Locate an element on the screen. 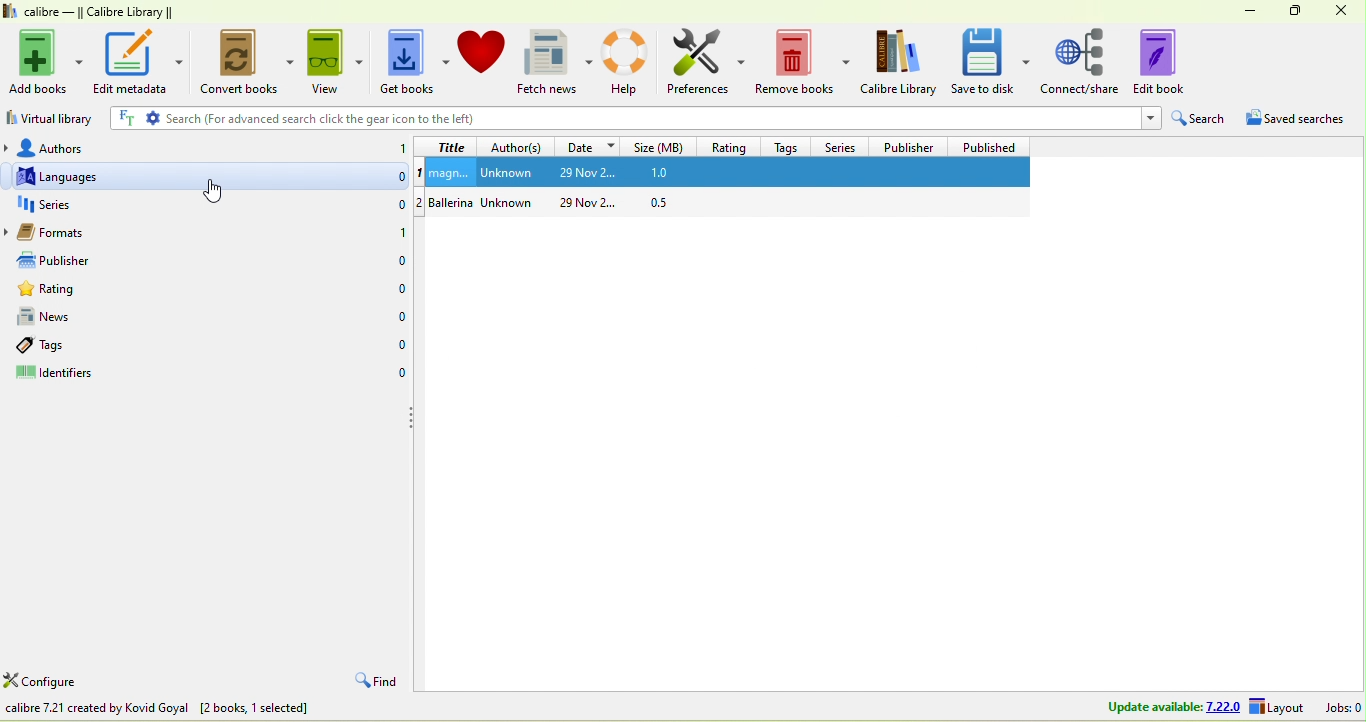 The width and height of the screenshot is (1366, 722). close is located at coordinates (1343, 13).